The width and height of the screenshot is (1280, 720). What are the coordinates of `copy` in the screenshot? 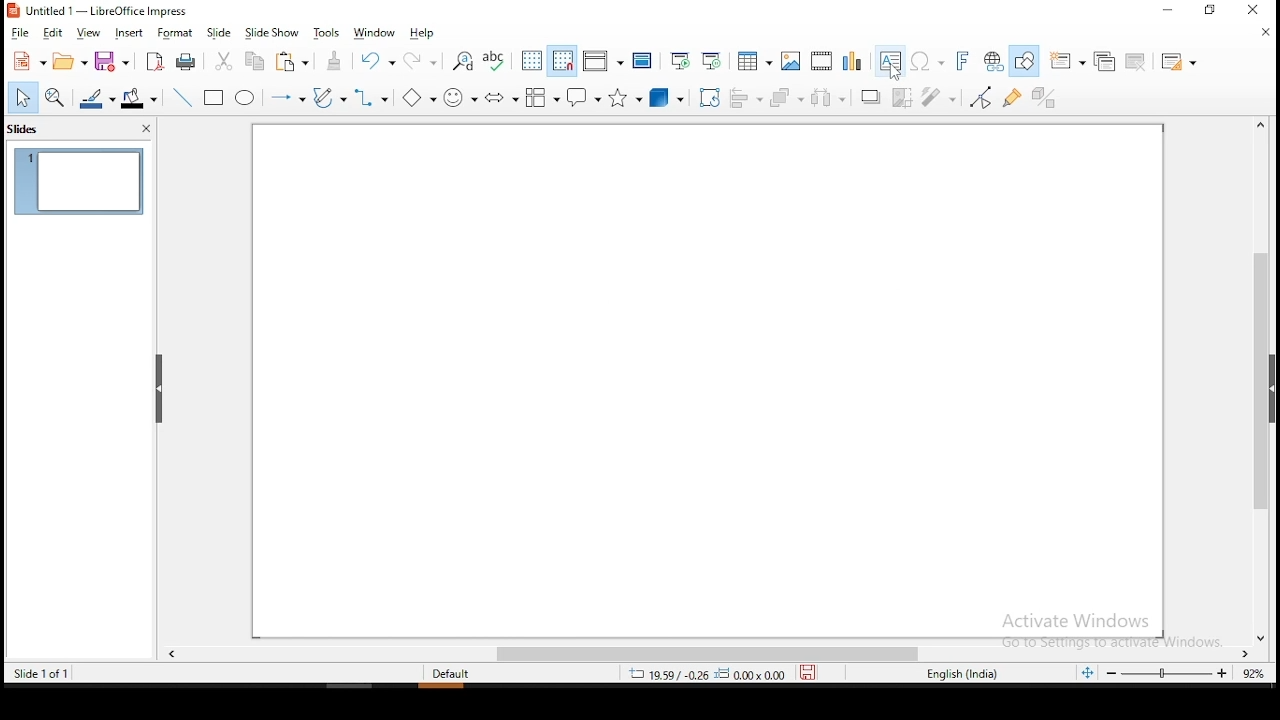 It's located at (255, 63).